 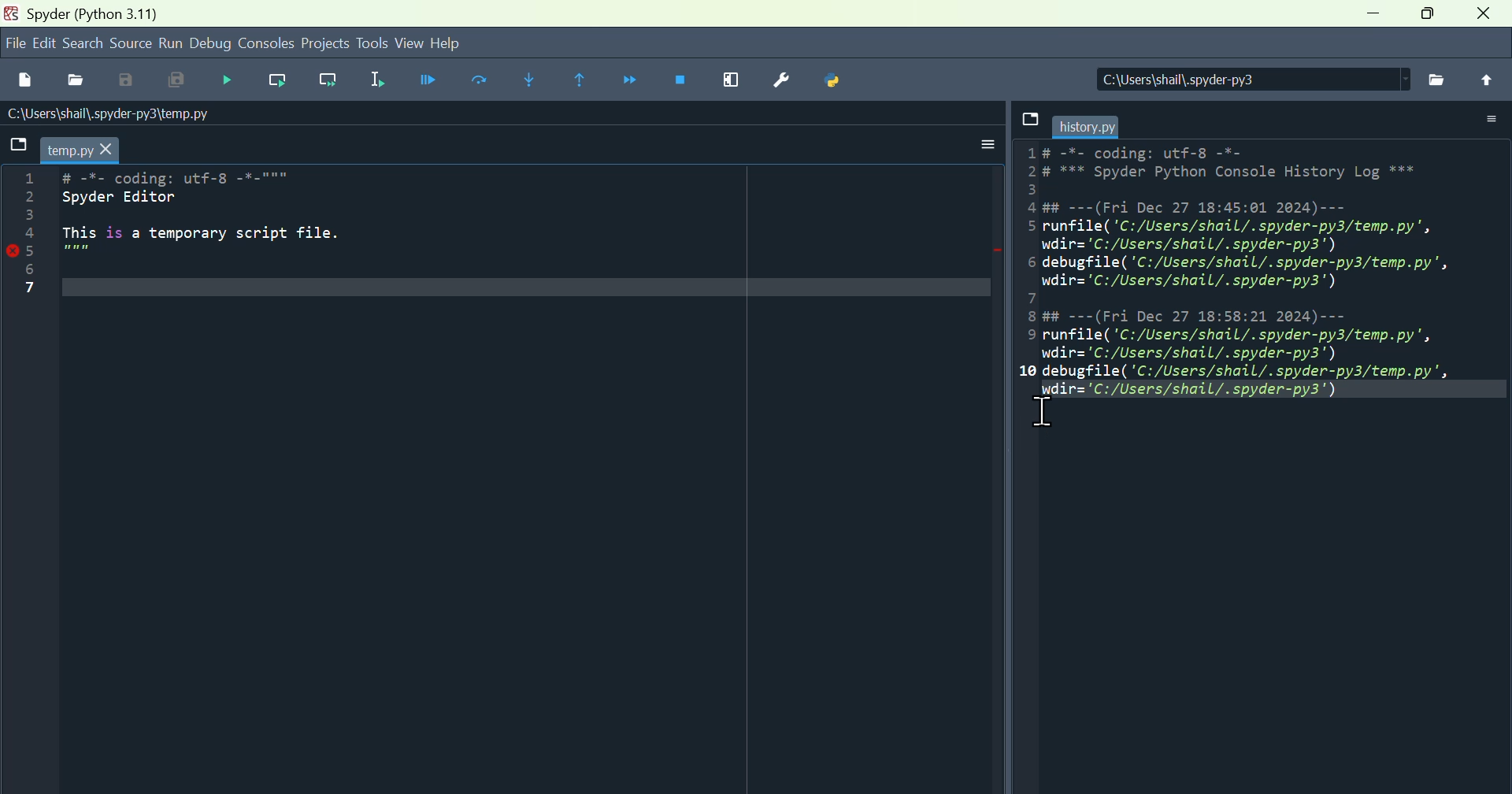 What do you see at coordinates (476, 79) in the screenshot?
I see `run current cell` at bounding box center [476, 79].